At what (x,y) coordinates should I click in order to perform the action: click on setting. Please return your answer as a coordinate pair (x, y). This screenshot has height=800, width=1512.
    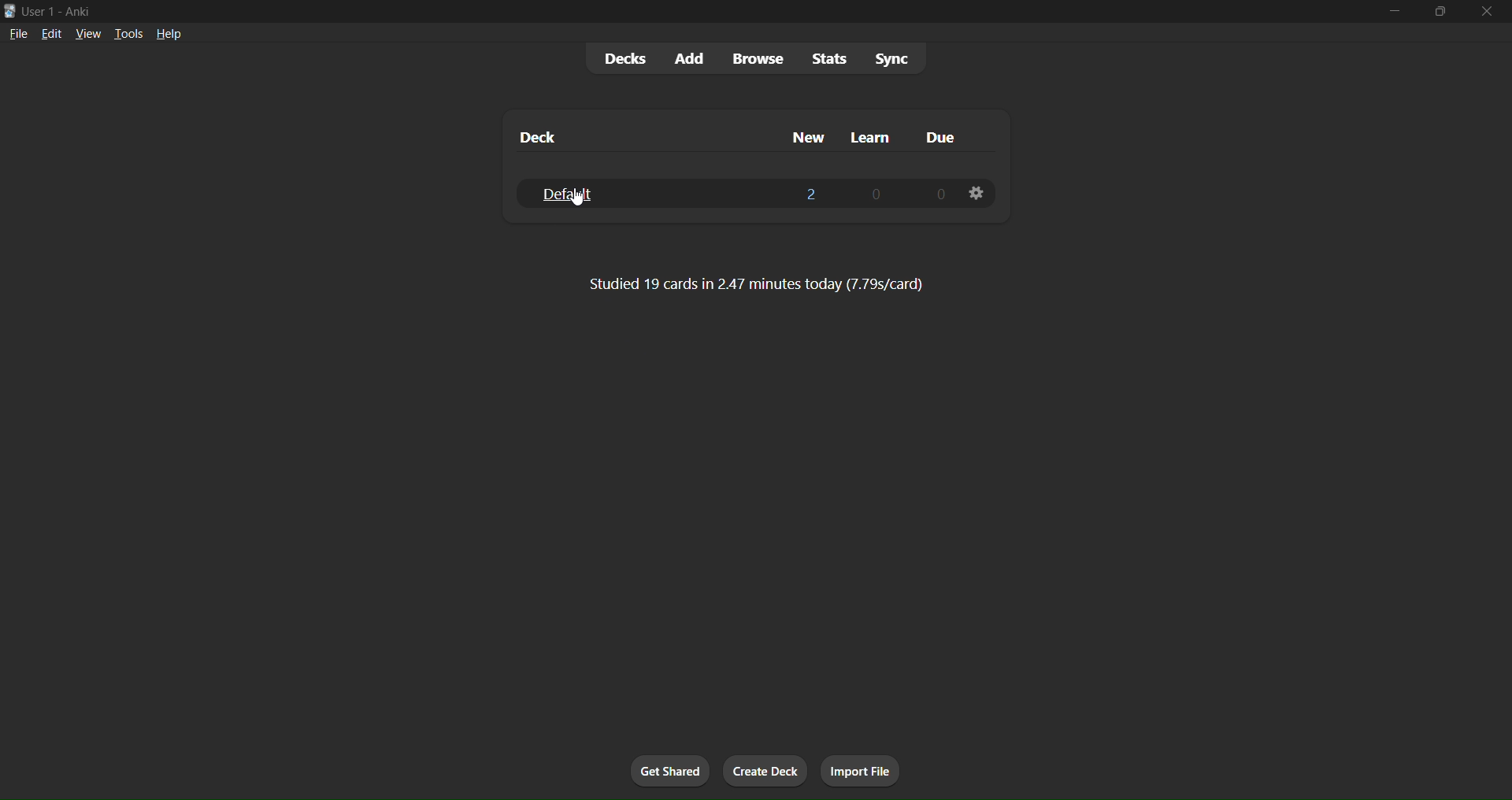
    Looking at the image, I should click on (980, 194).